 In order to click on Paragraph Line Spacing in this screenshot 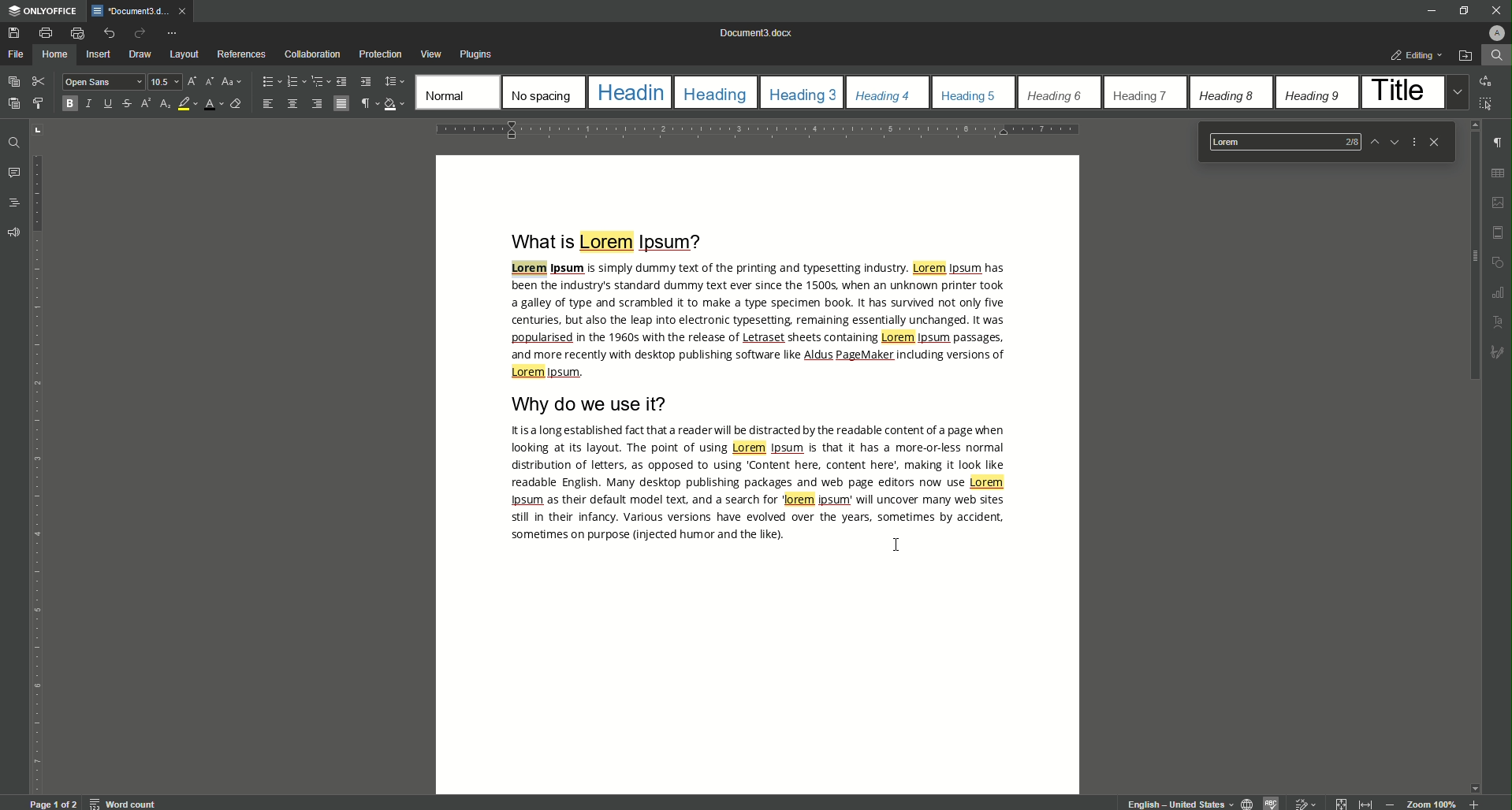, I will do `click(395, 80)`.